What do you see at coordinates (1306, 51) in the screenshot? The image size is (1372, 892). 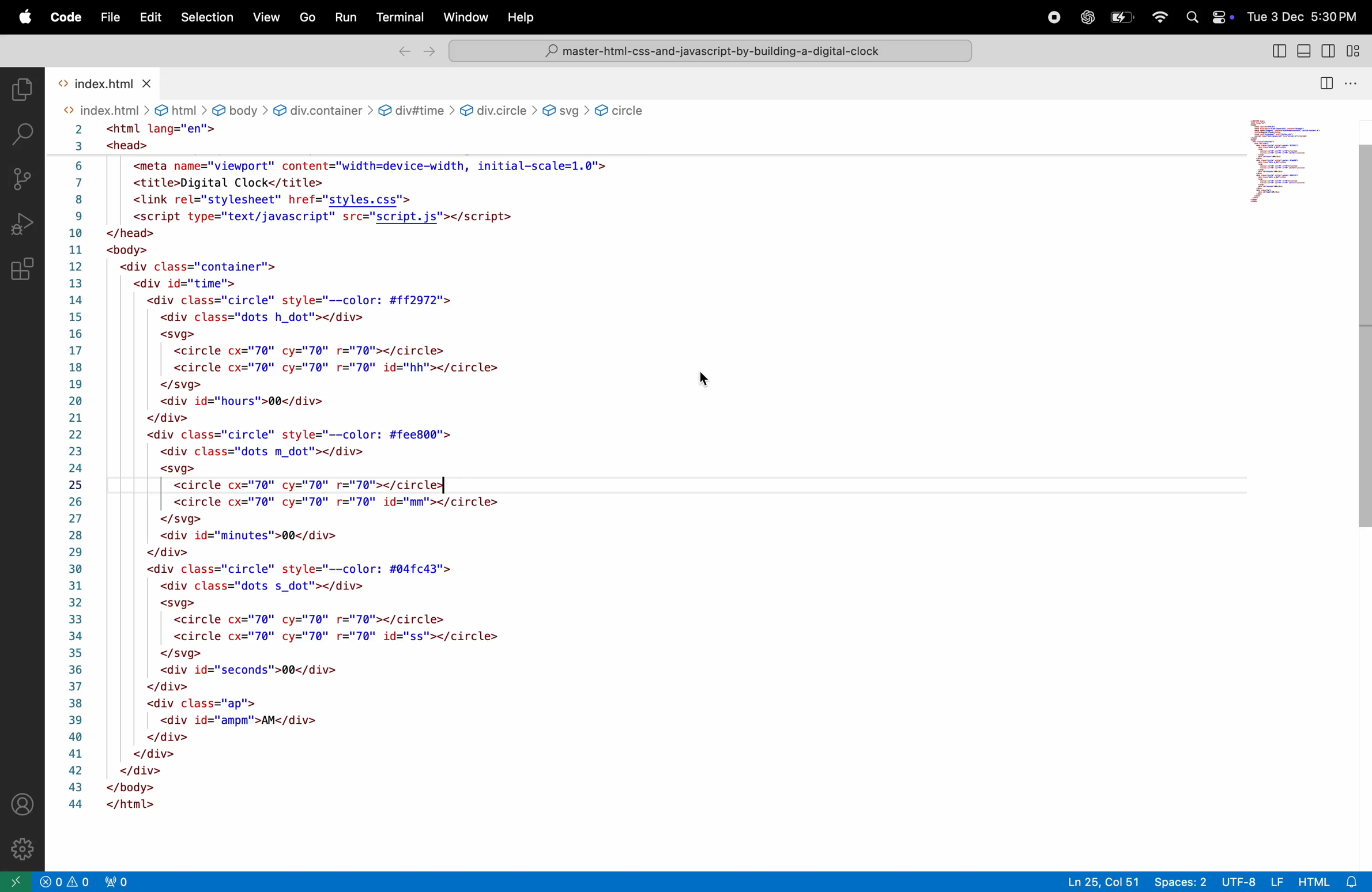 I see `toggle panel` at bounding box center [1306, 51].